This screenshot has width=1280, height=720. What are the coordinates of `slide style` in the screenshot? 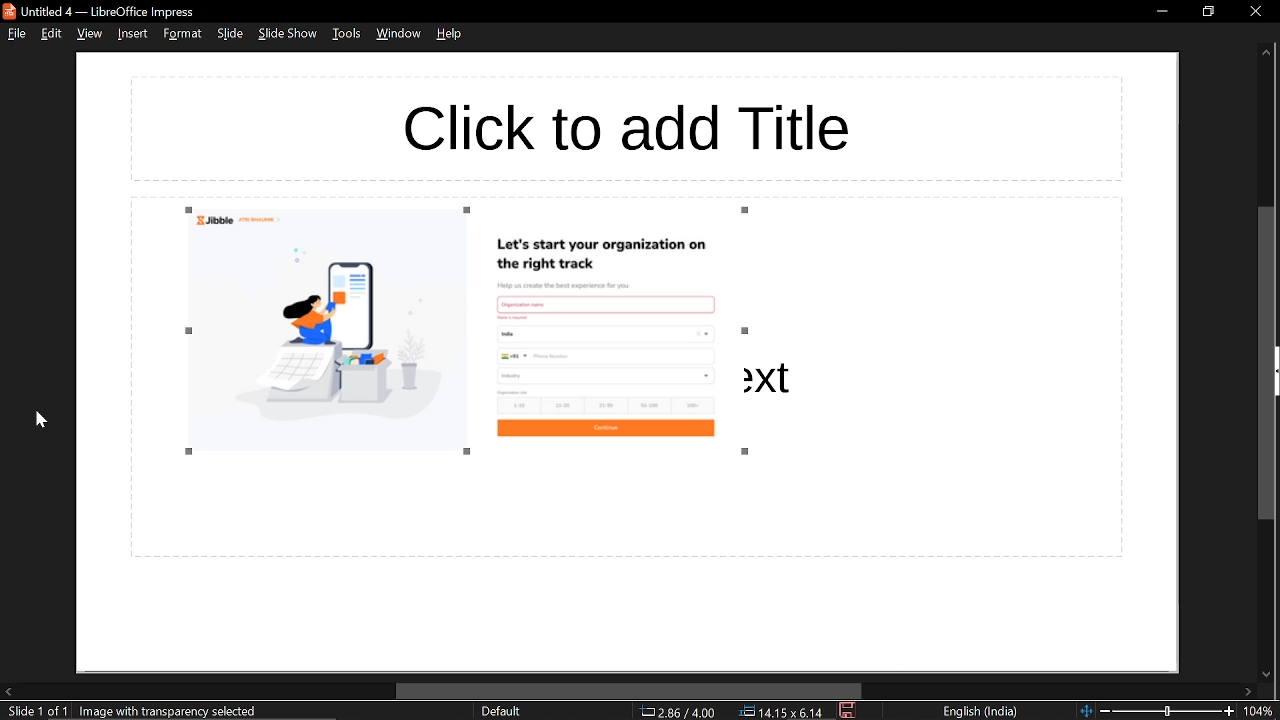 It's located at (501, 711).